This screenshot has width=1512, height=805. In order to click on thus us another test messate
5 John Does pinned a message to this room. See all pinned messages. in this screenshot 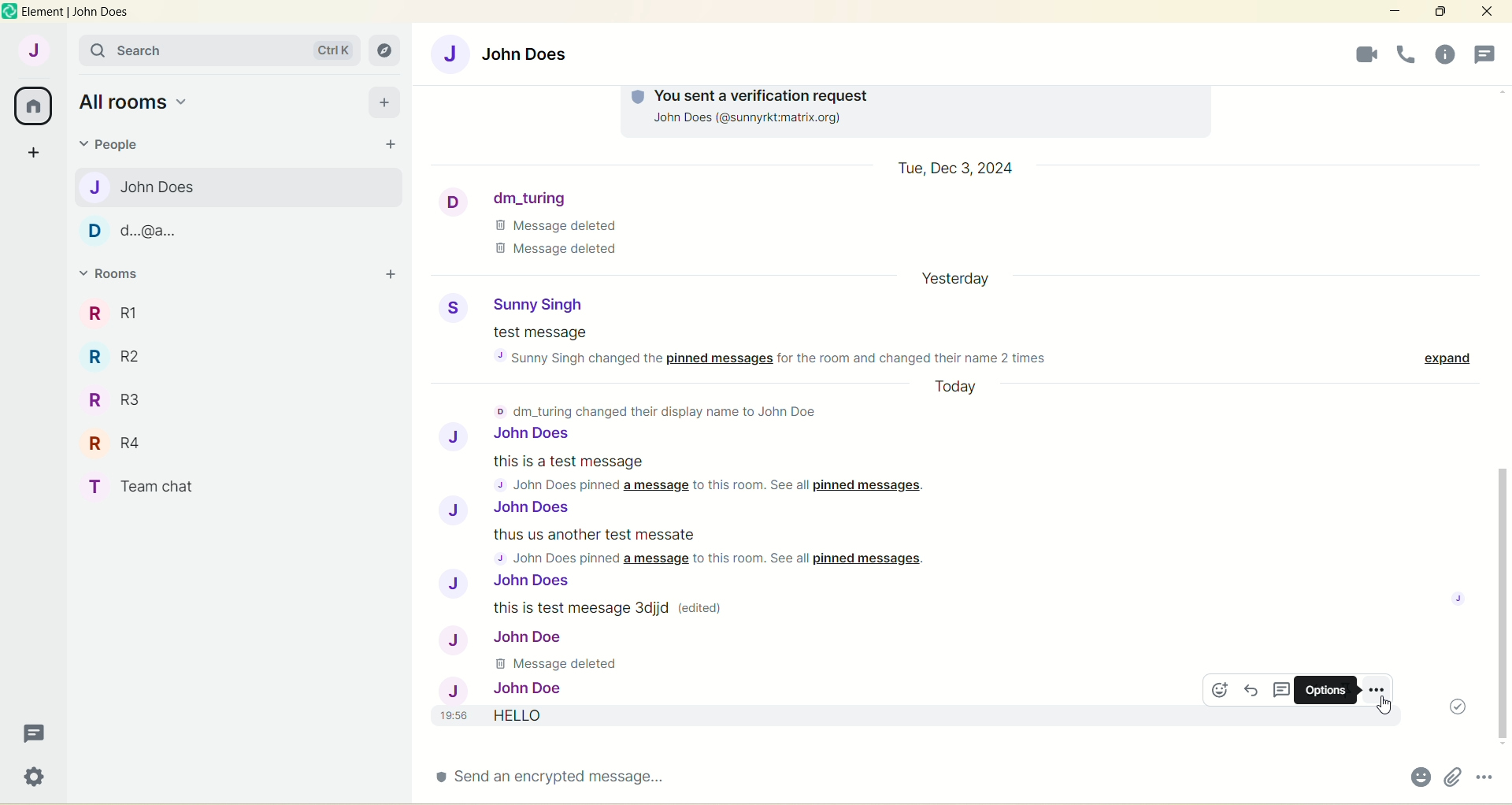, I will do `click(715, 547)`.